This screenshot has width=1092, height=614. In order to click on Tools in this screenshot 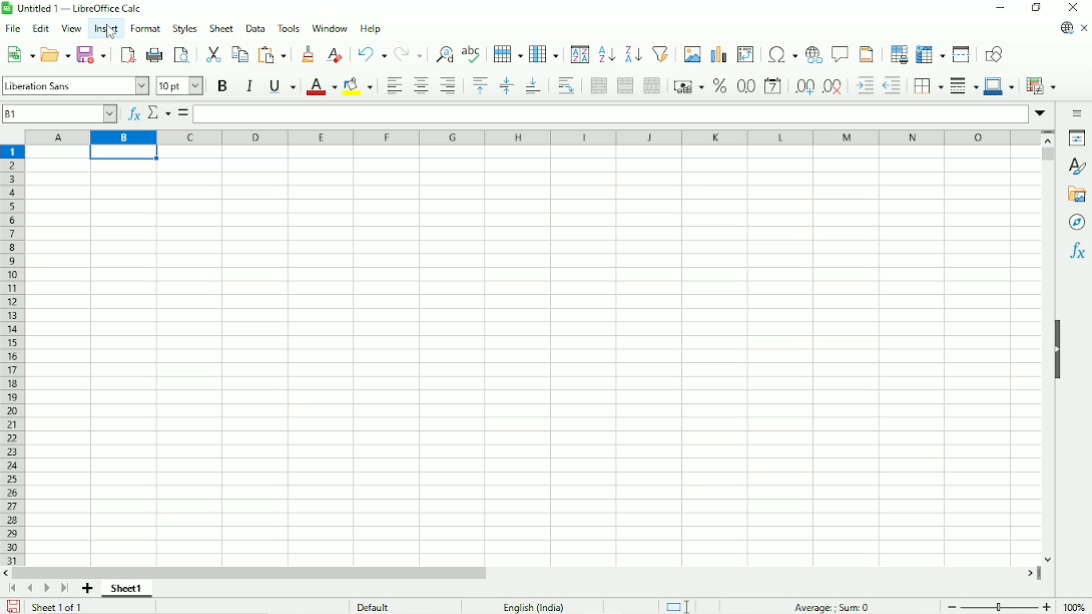, I will do `click(287, 28)`.